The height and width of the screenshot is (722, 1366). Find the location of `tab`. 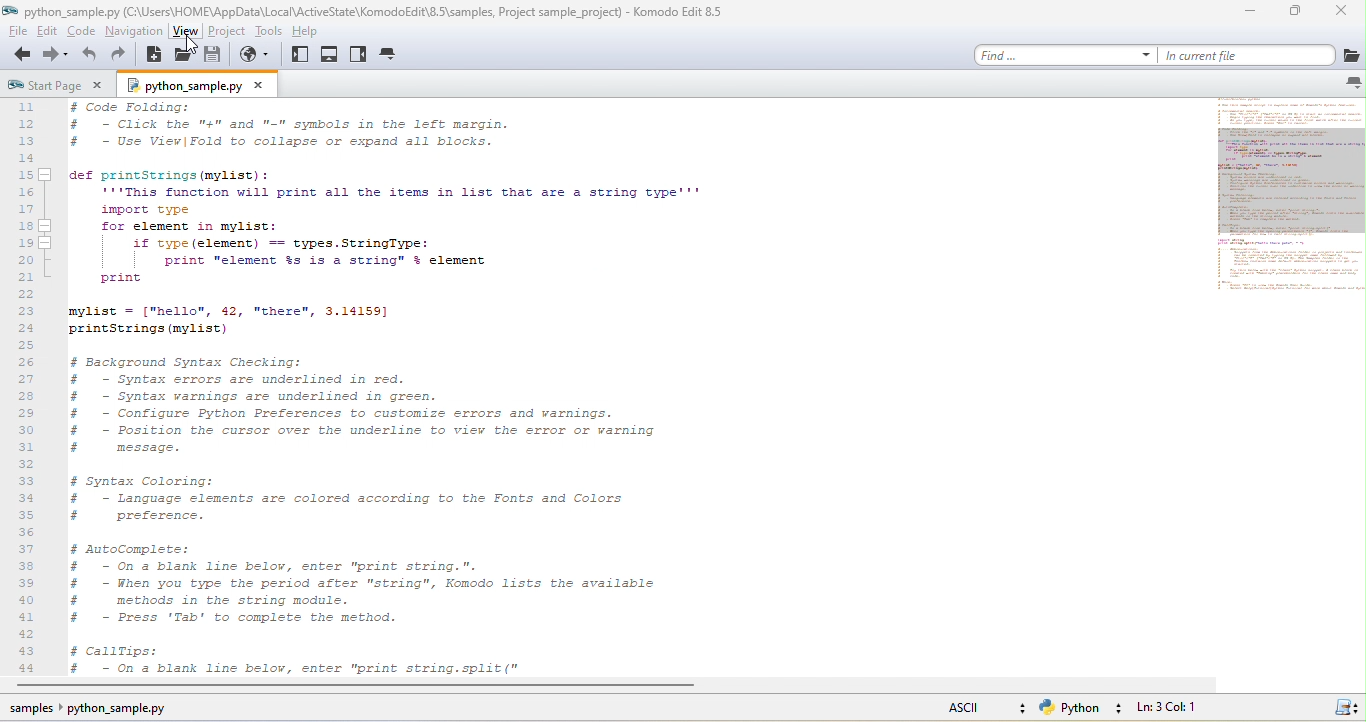

tab is located at coordinates (392, 53).